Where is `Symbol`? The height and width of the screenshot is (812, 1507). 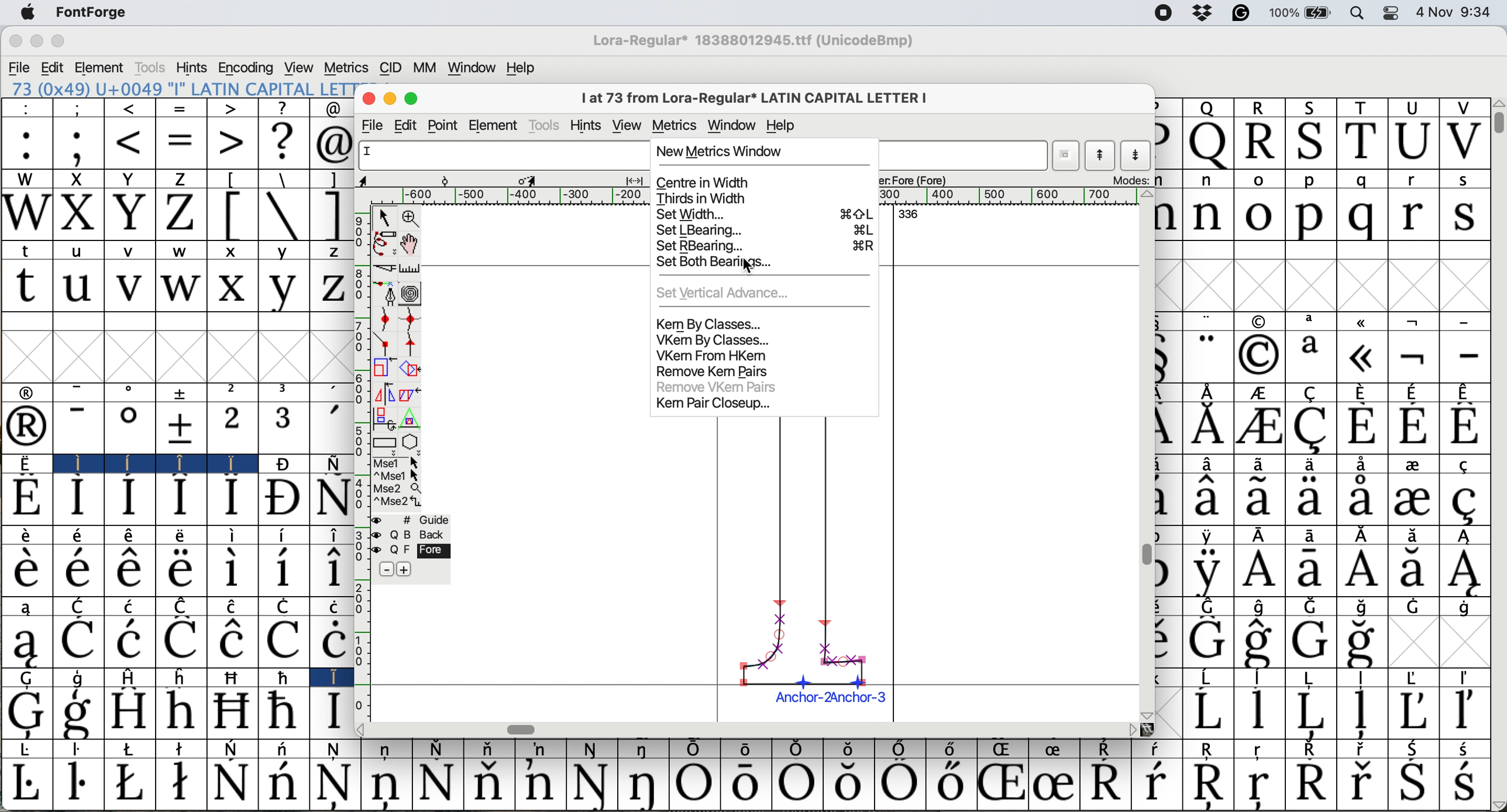 Symbol is located at coordinates (233, 749).